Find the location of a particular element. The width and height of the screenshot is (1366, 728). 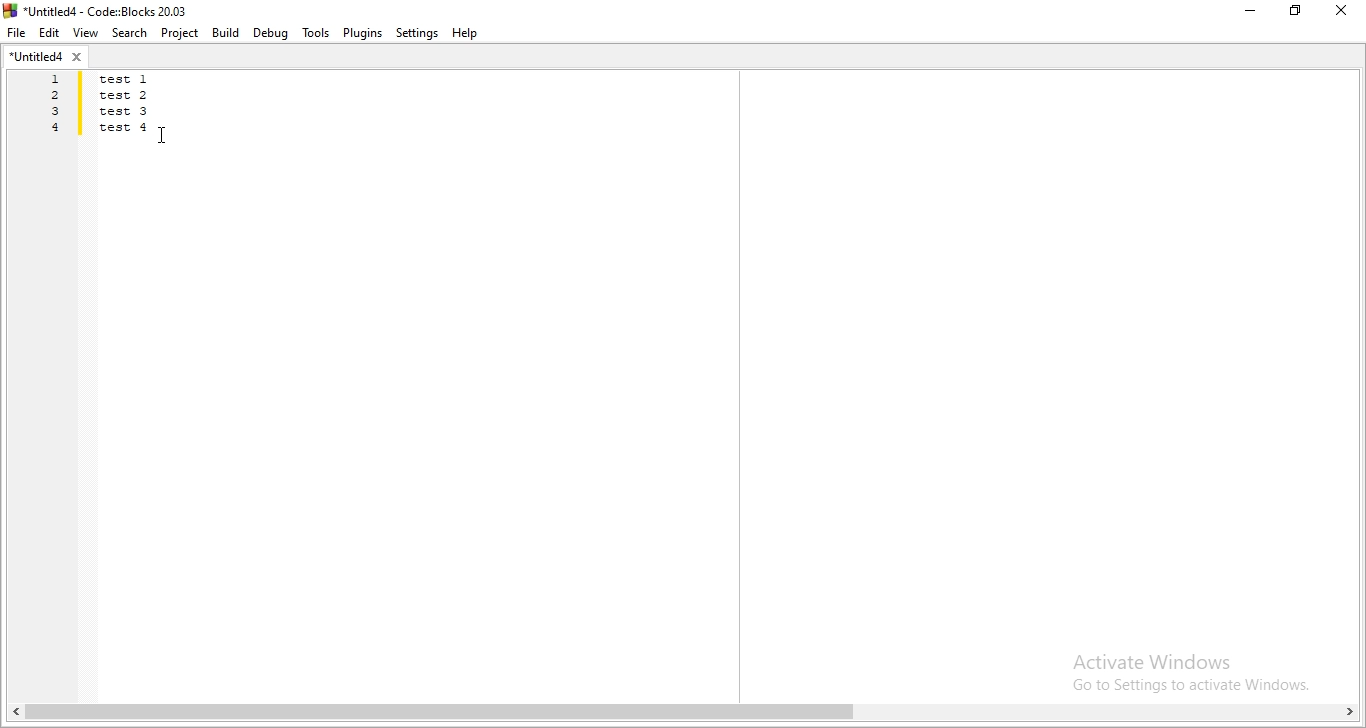

Debug  is located at coordinates (272, 33).